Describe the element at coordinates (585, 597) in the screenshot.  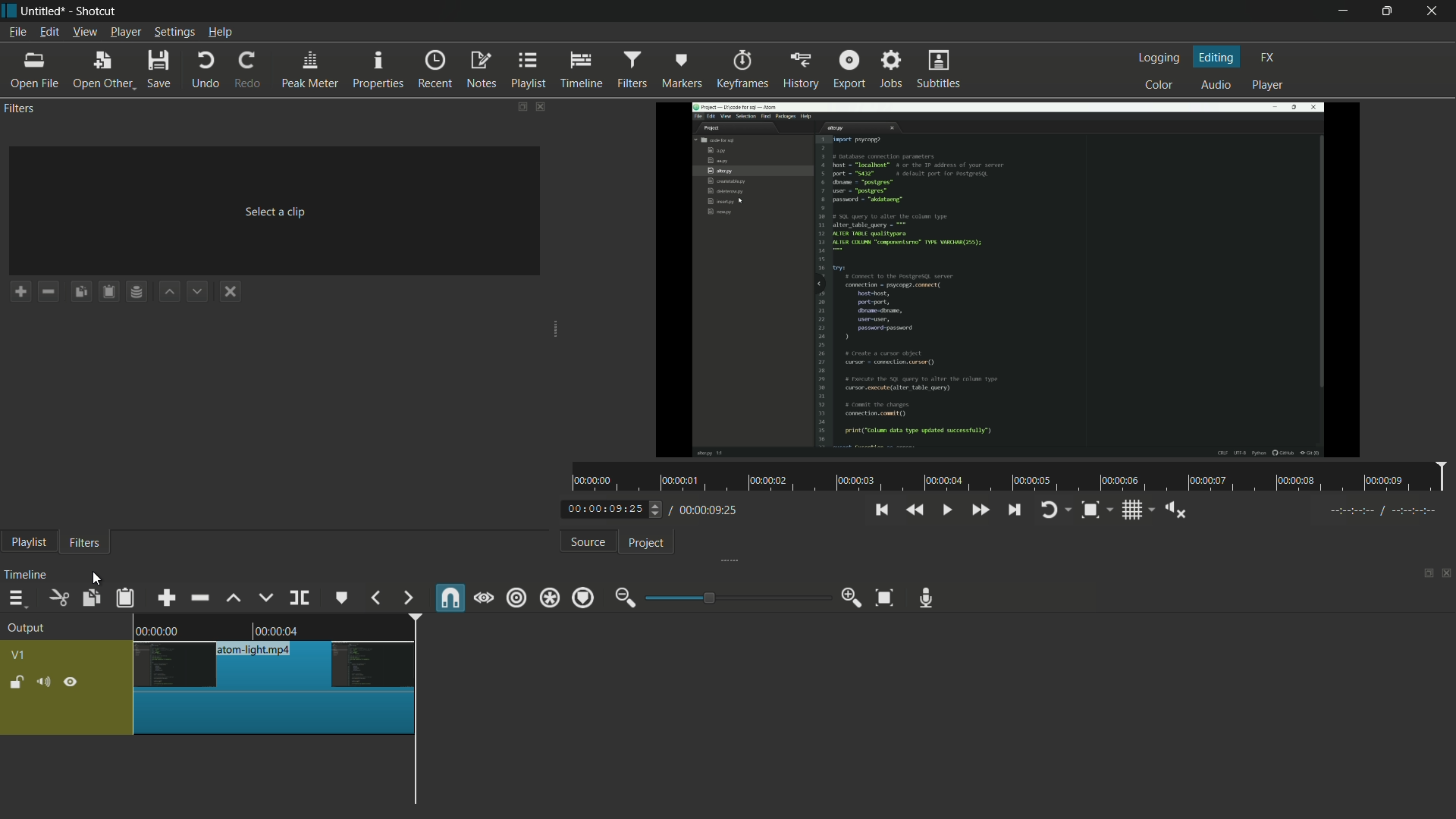
I see `ripple markers` at that location.